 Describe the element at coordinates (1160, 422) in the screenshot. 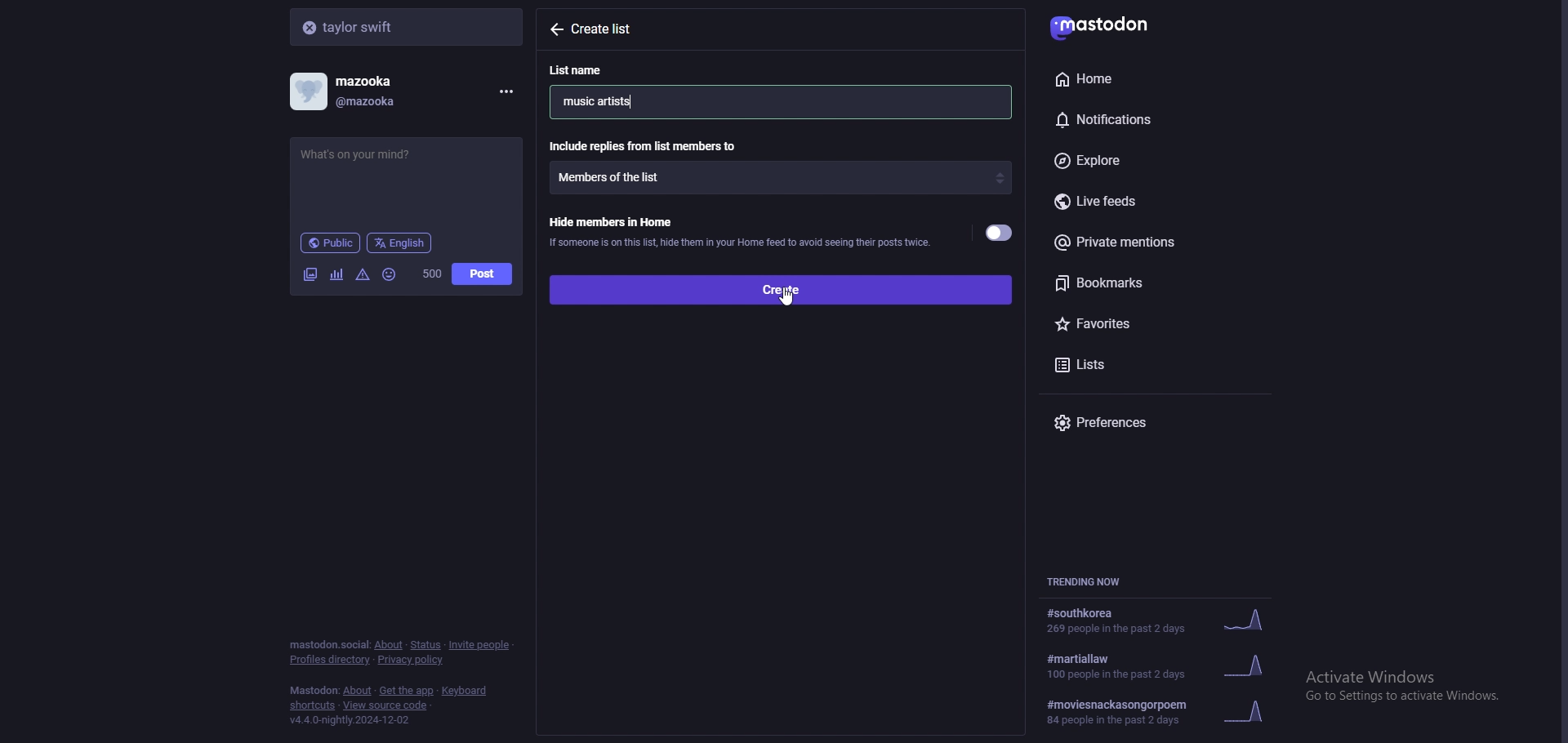

I see `preferences` at that location.